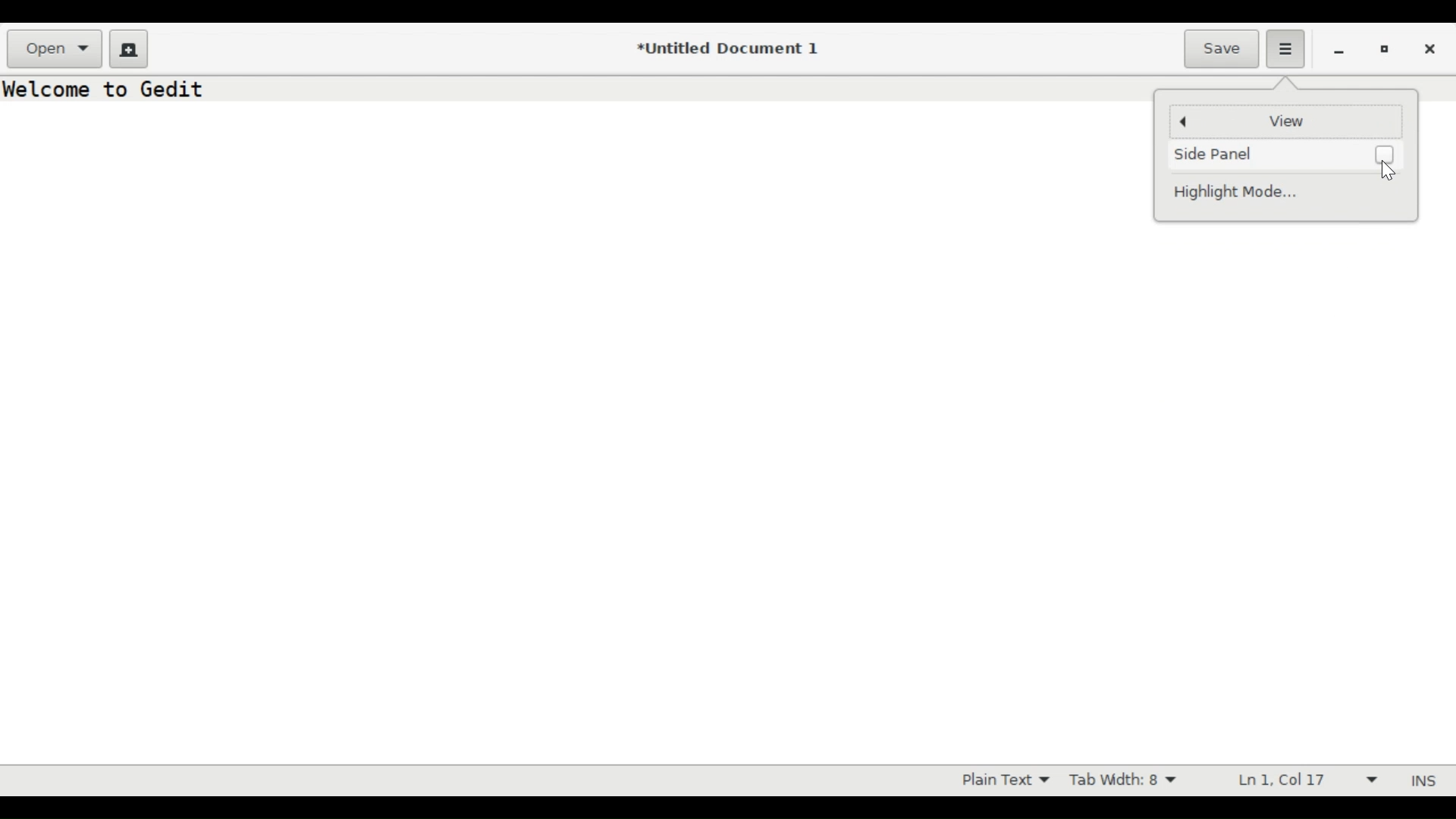  What do you see at coordinates (1286, 49) in the screenshot?
I see `Application menu` at bounding box center [1286, 49].